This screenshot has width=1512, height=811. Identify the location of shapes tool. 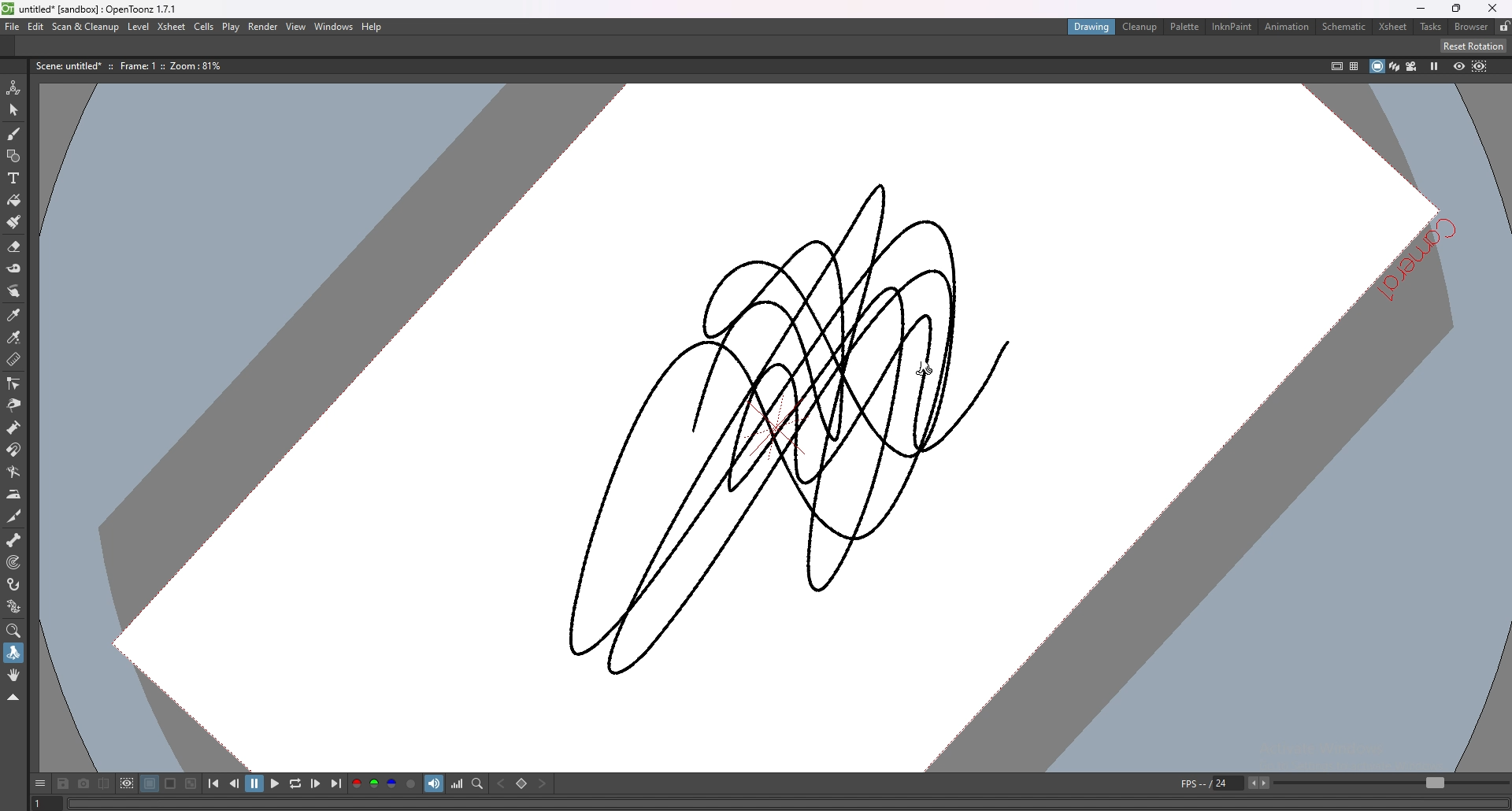
(13, 157).